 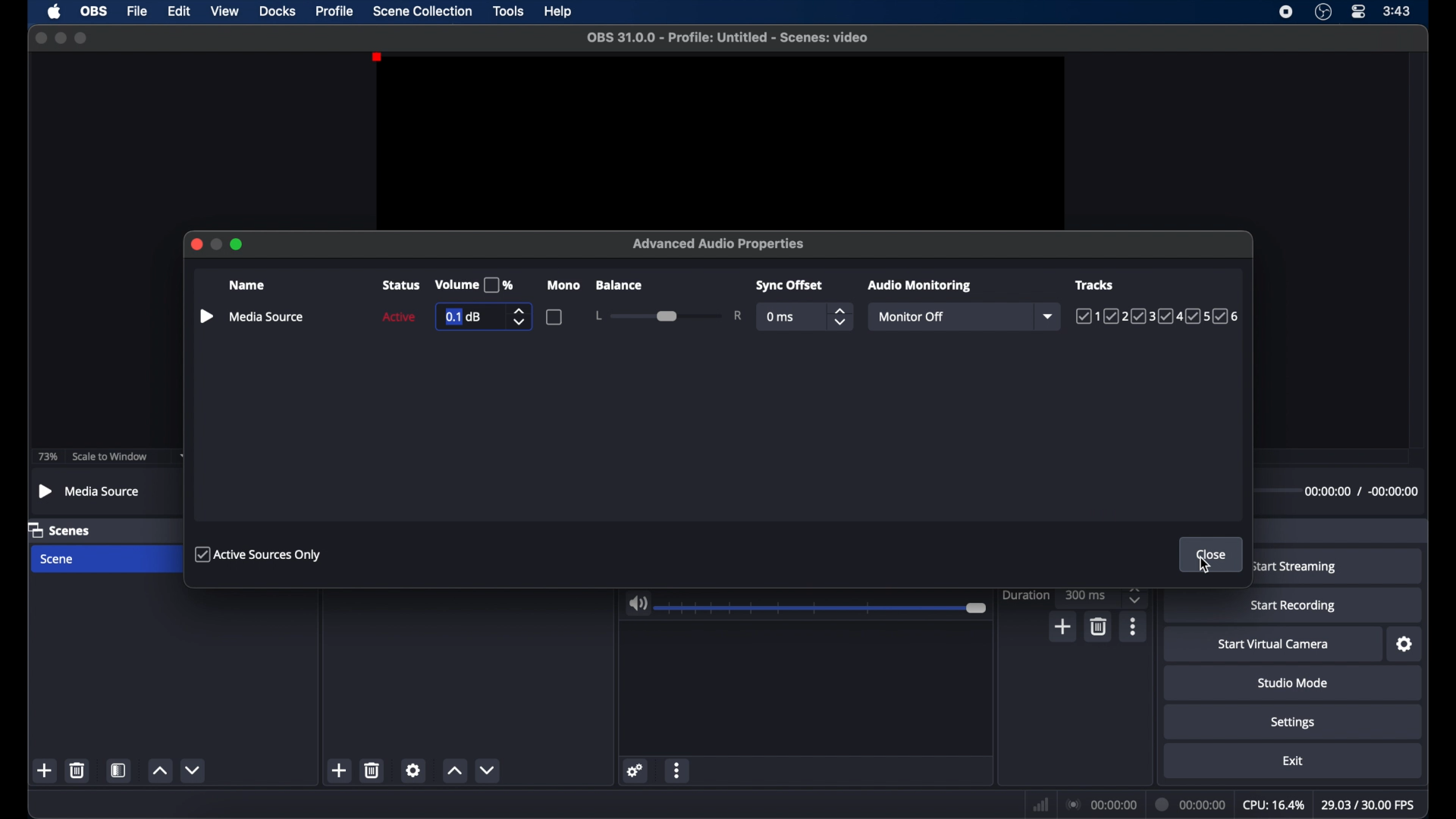 I want to click on 0 ms, so click(x=781, y=317).